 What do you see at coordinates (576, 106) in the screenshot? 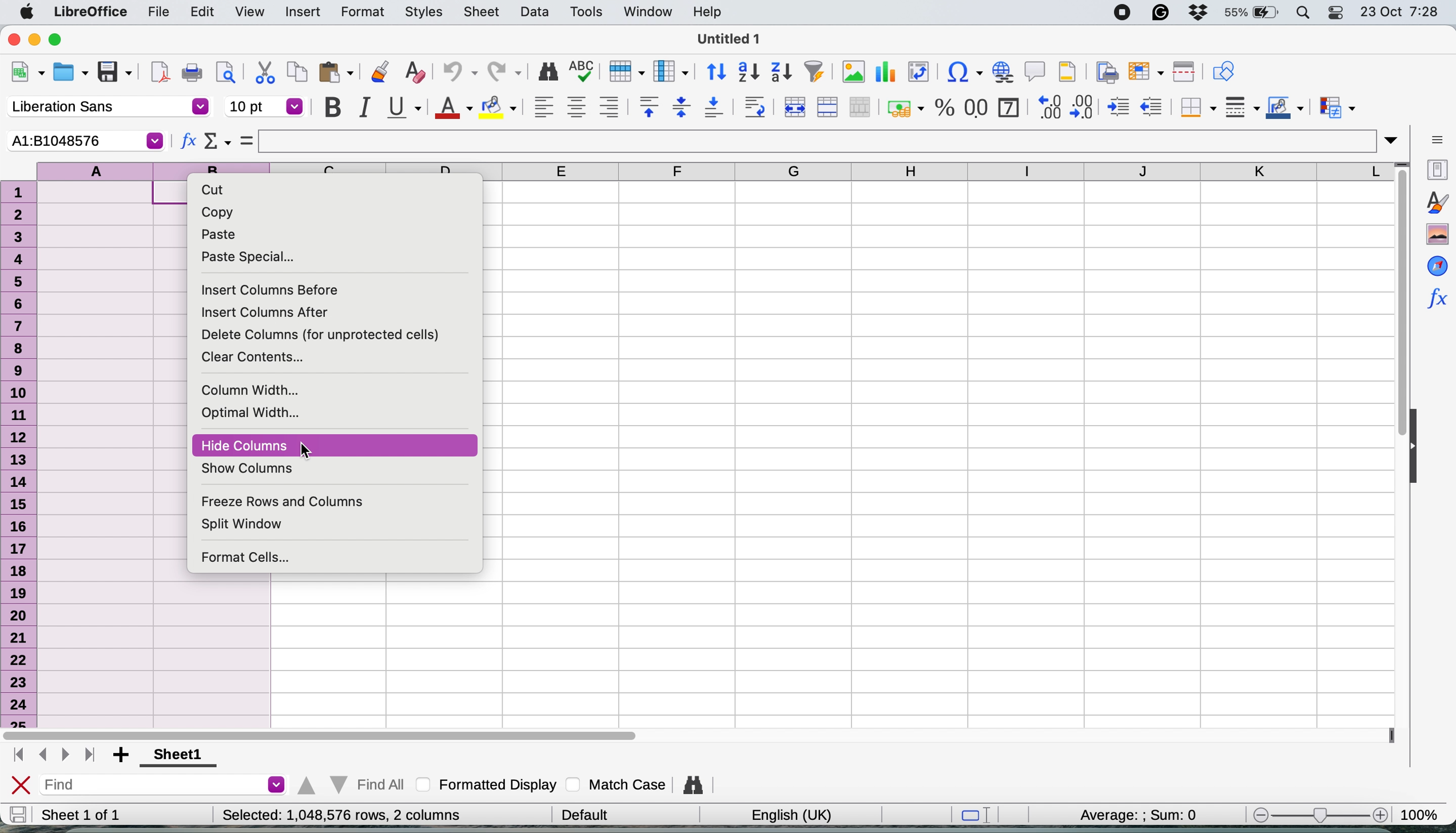
I see `align center` at bounding box center [576, 106].